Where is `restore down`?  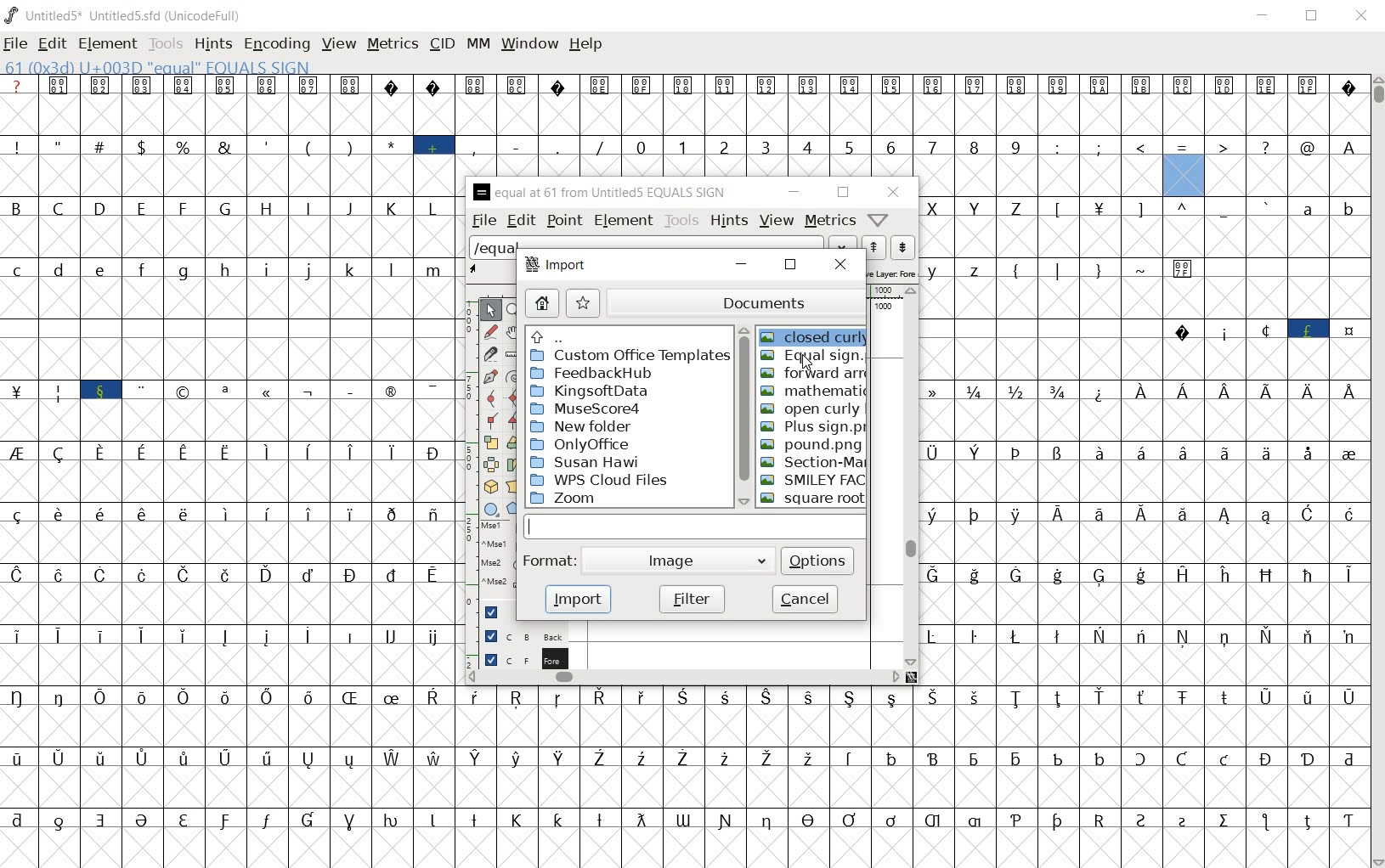 restore down is located at coordinates (843, 194).